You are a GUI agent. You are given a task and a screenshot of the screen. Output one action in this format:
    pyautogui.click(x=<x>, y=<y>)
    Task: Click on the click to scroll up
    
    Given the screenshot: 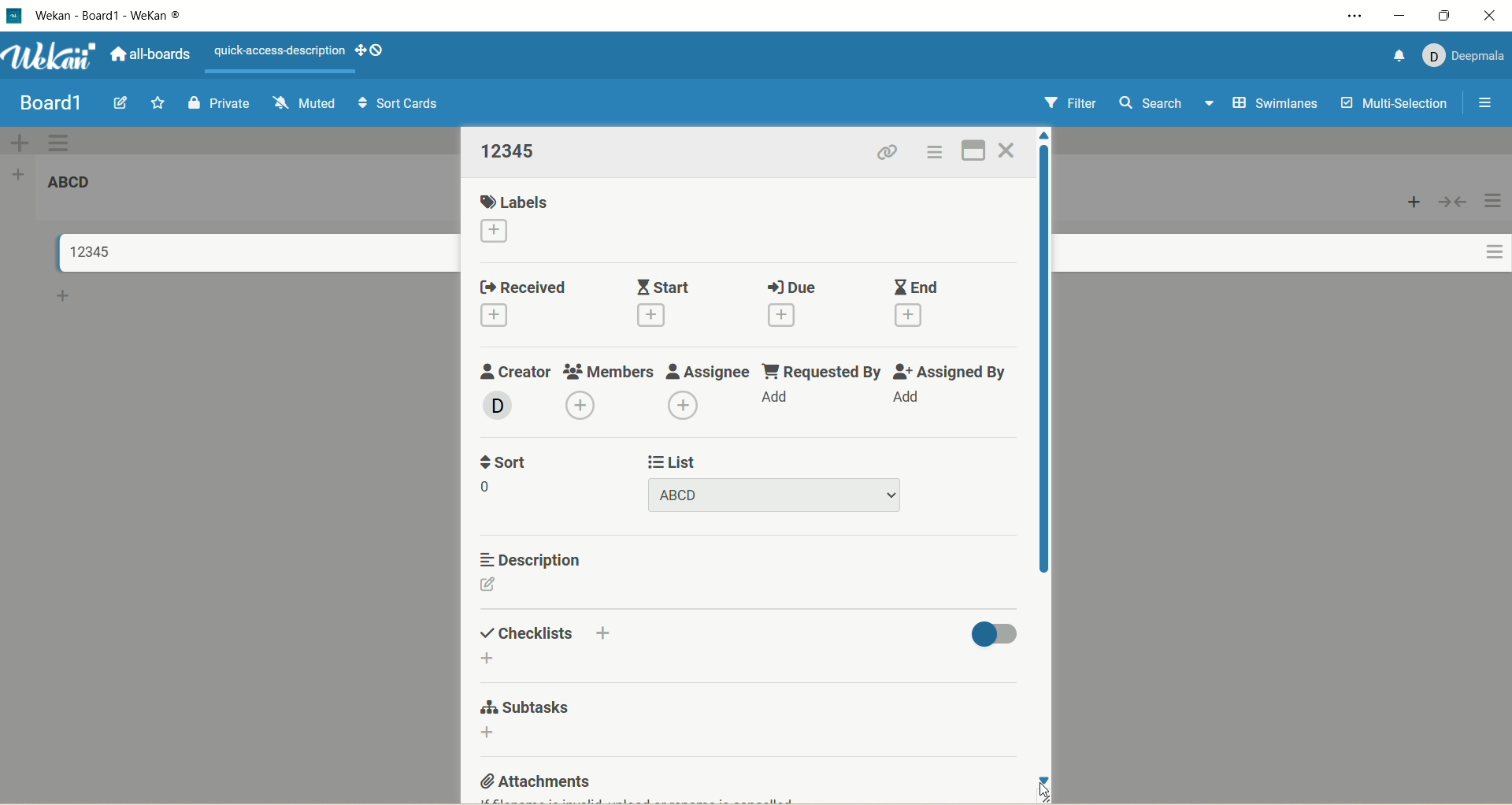 What is the action you would take?
    pyautogui.click(x=1047, y=139)
    